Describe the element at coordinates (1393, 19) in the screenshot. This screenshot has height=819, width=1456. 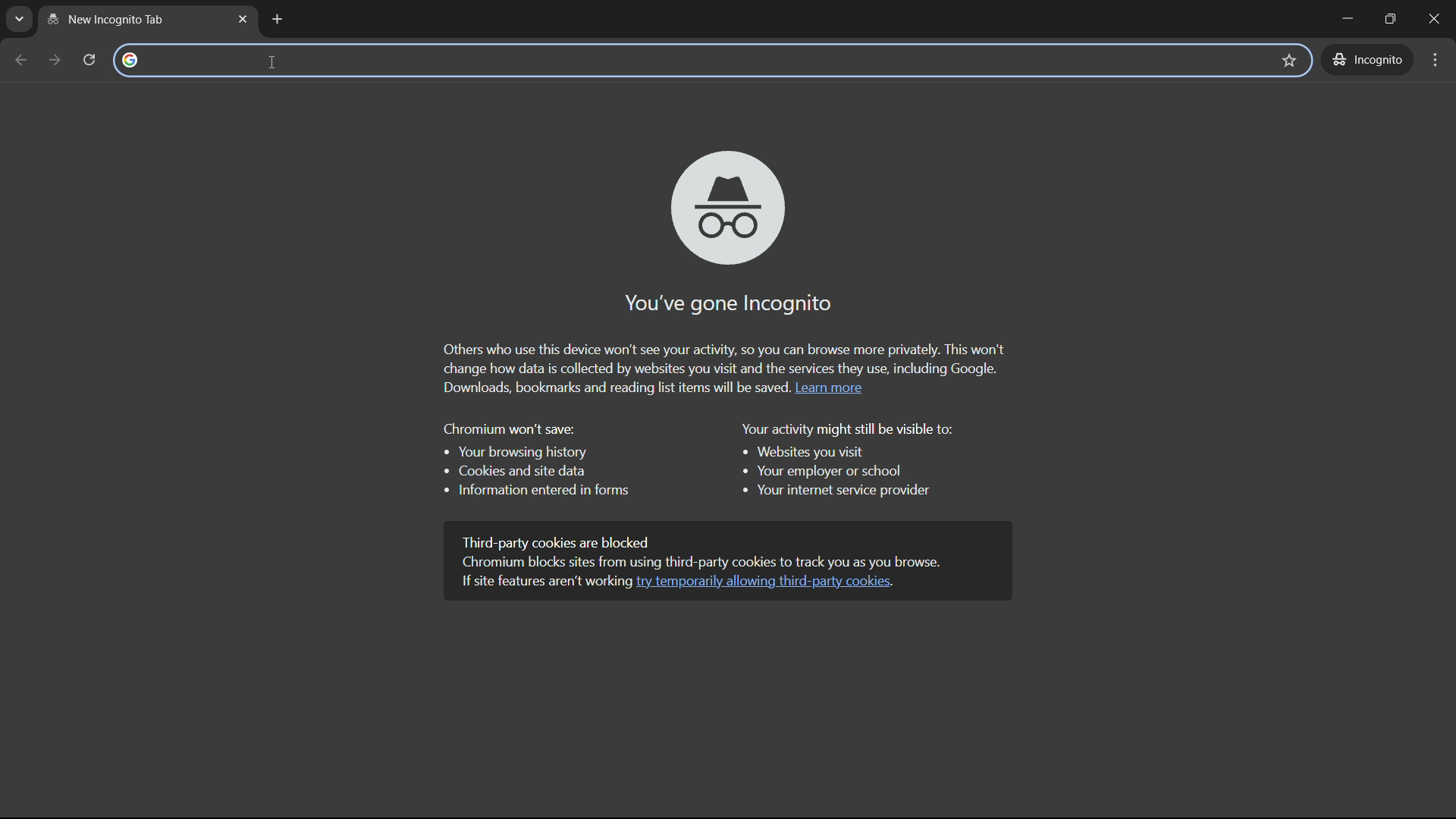
I see `maximize or restore` at that location.